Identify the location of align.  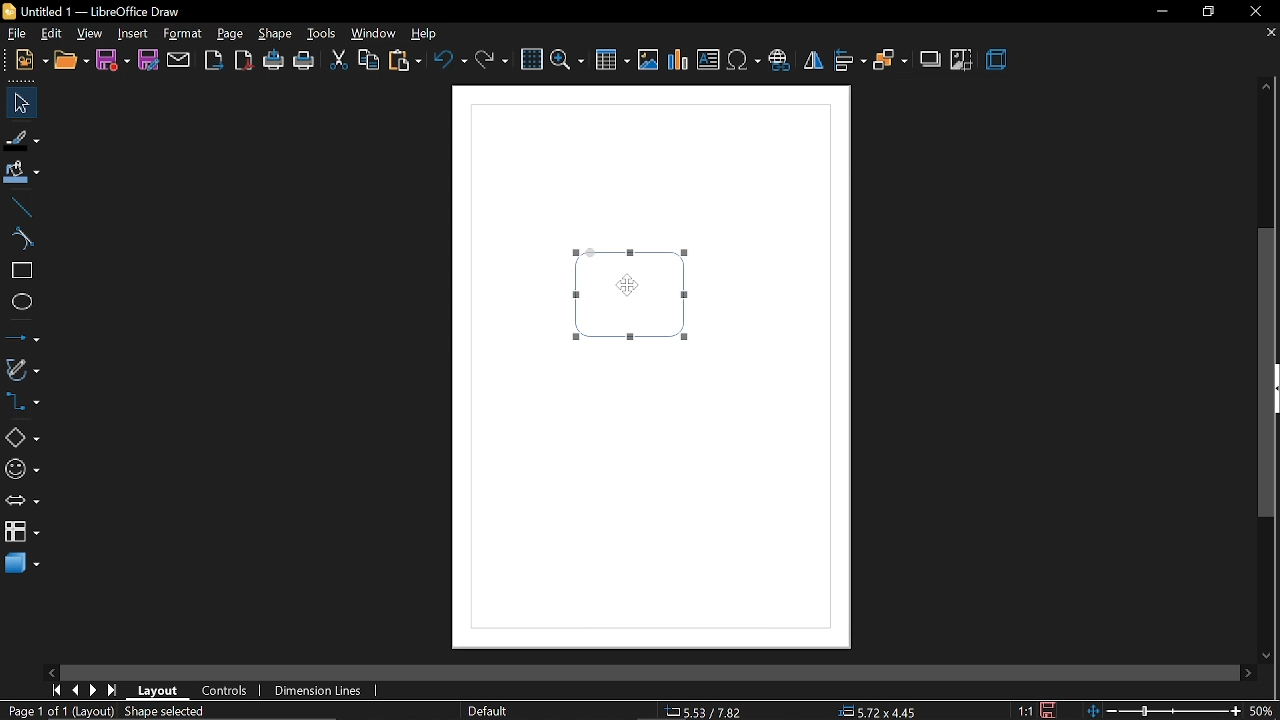
(849, 61).